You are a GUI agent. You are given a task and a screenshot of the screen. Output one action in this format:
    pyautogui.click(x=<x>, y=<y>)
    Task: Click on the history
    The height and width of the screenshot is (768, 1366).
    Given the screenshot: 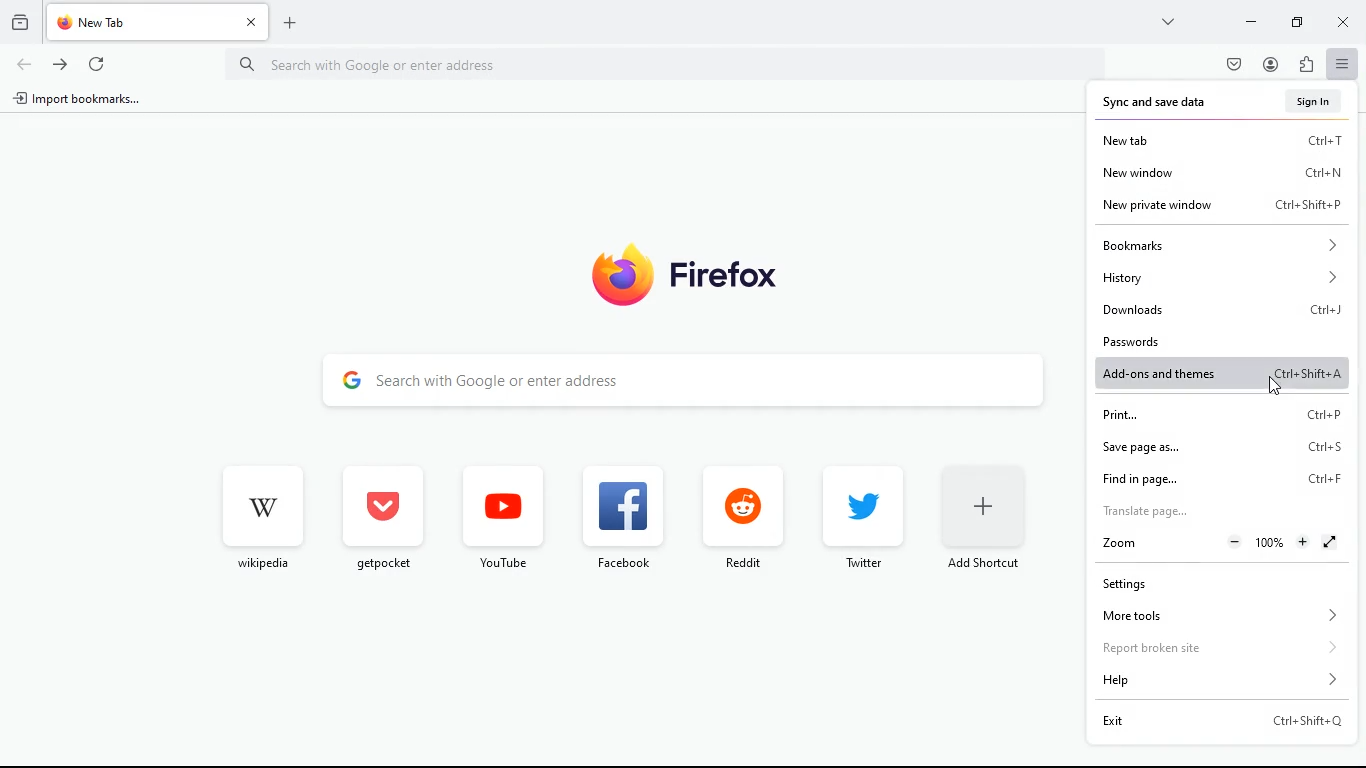 What is the action you would take?
    pyautogui.click(x=20, y=22)
    